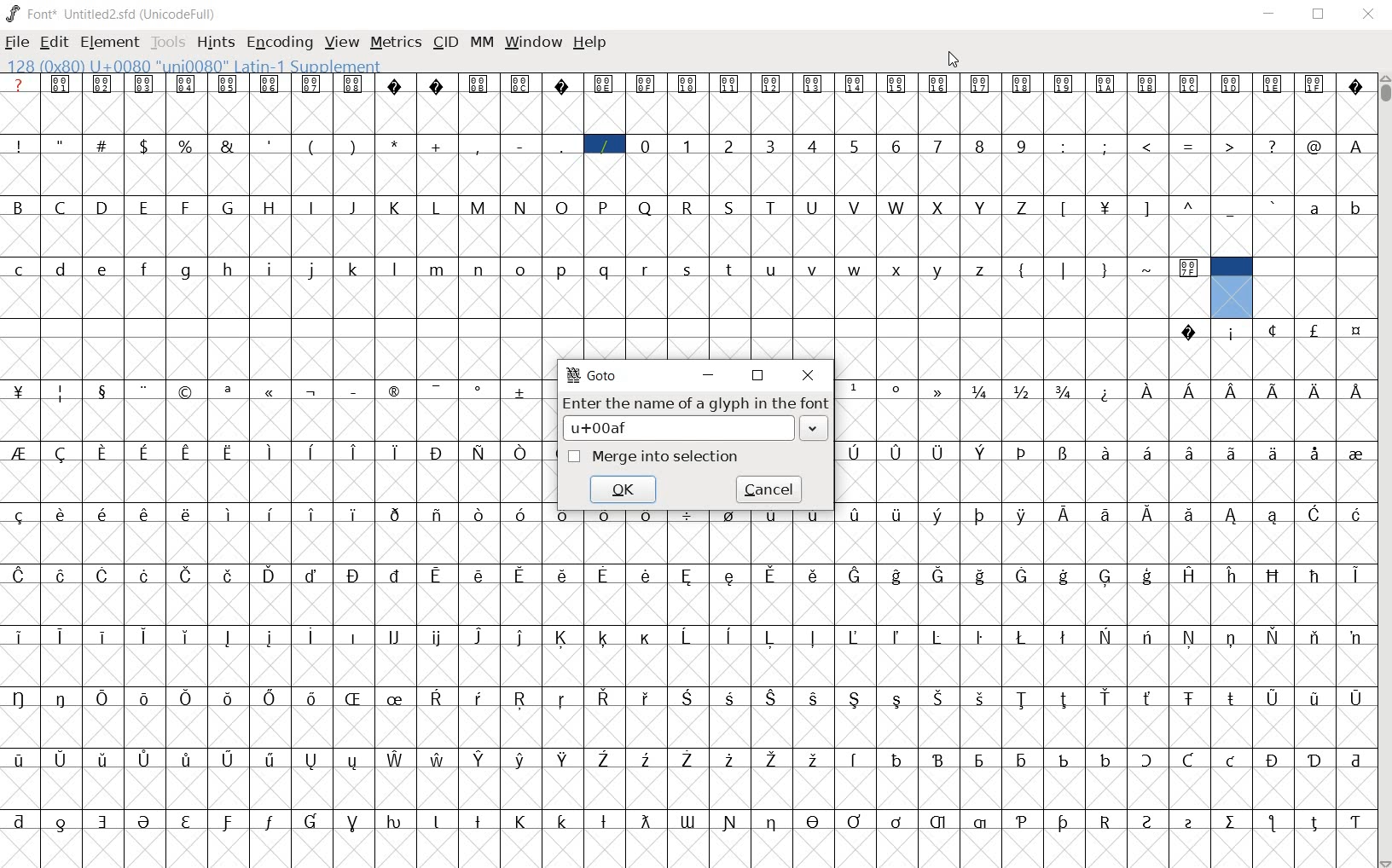  I want to click on 5, so click(857, 145).